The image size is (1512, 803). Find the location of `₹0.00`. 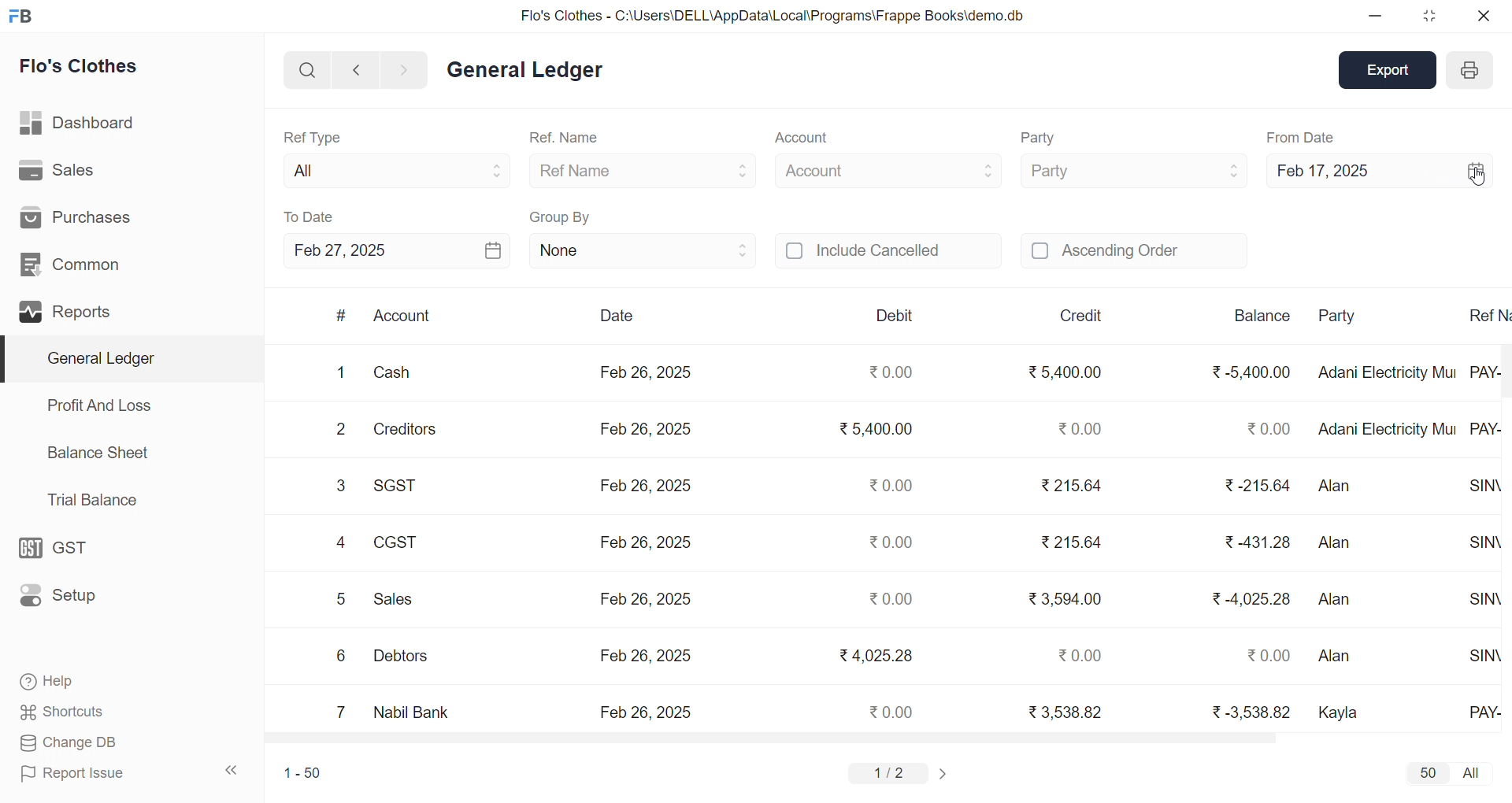

₹0.00 is located at coordinates (1078, 427).